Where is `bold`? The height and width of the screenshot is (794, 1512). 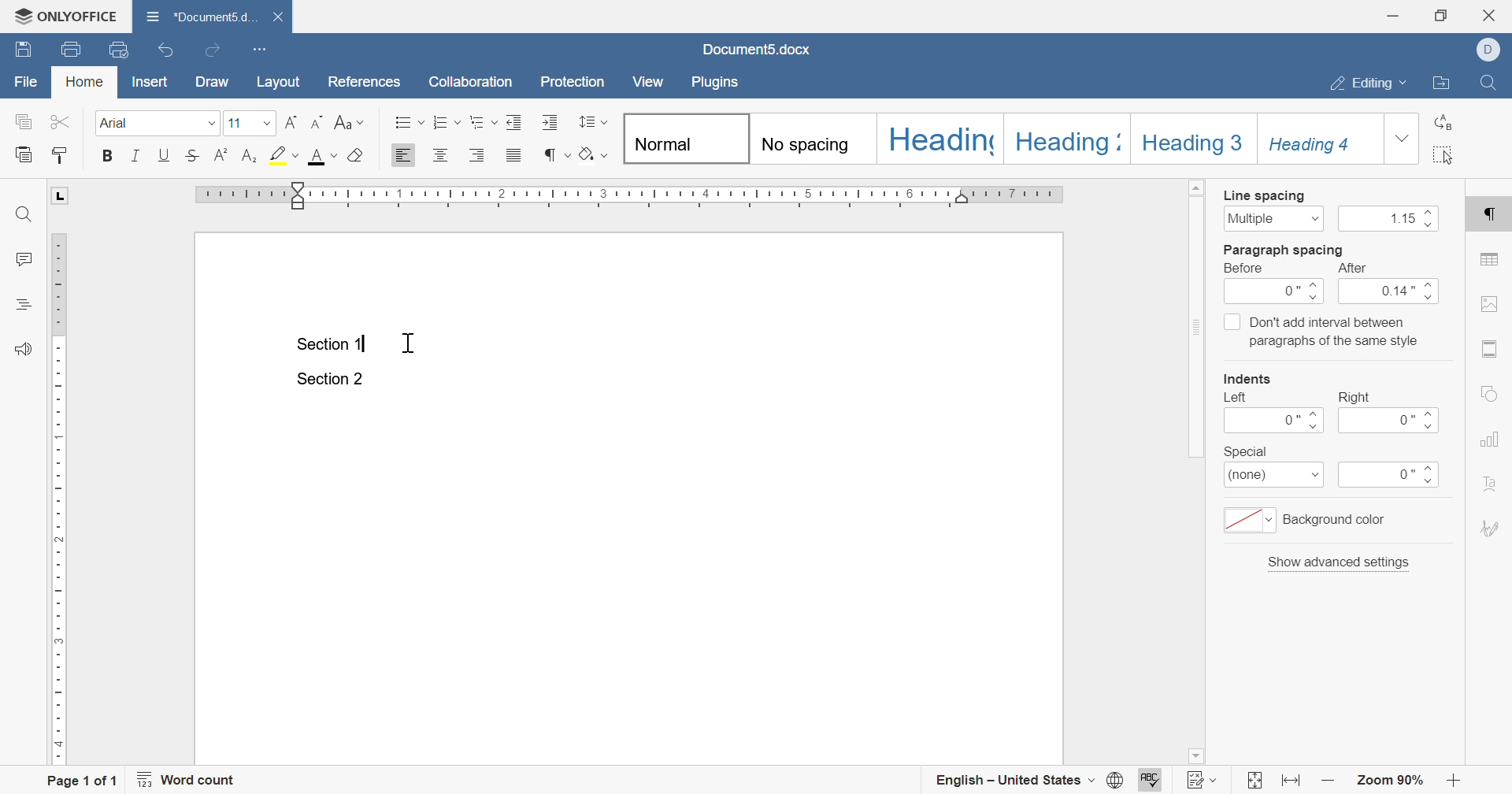
bold is located at coordinates (106, 156).